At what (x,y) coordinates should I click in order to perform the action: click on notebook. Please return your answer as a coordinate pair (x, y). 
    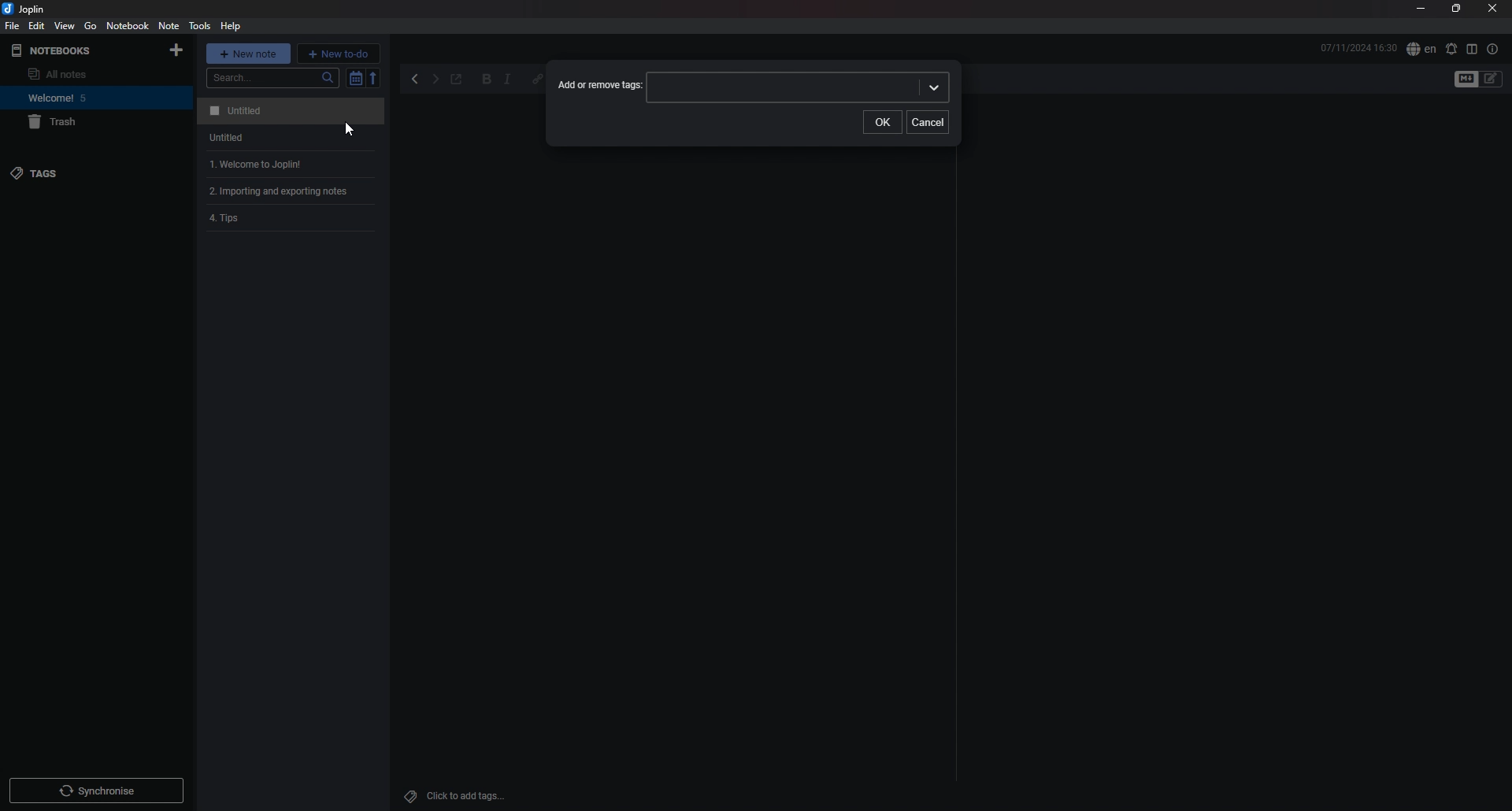
    Looking at the image, I should click on (128, 26).